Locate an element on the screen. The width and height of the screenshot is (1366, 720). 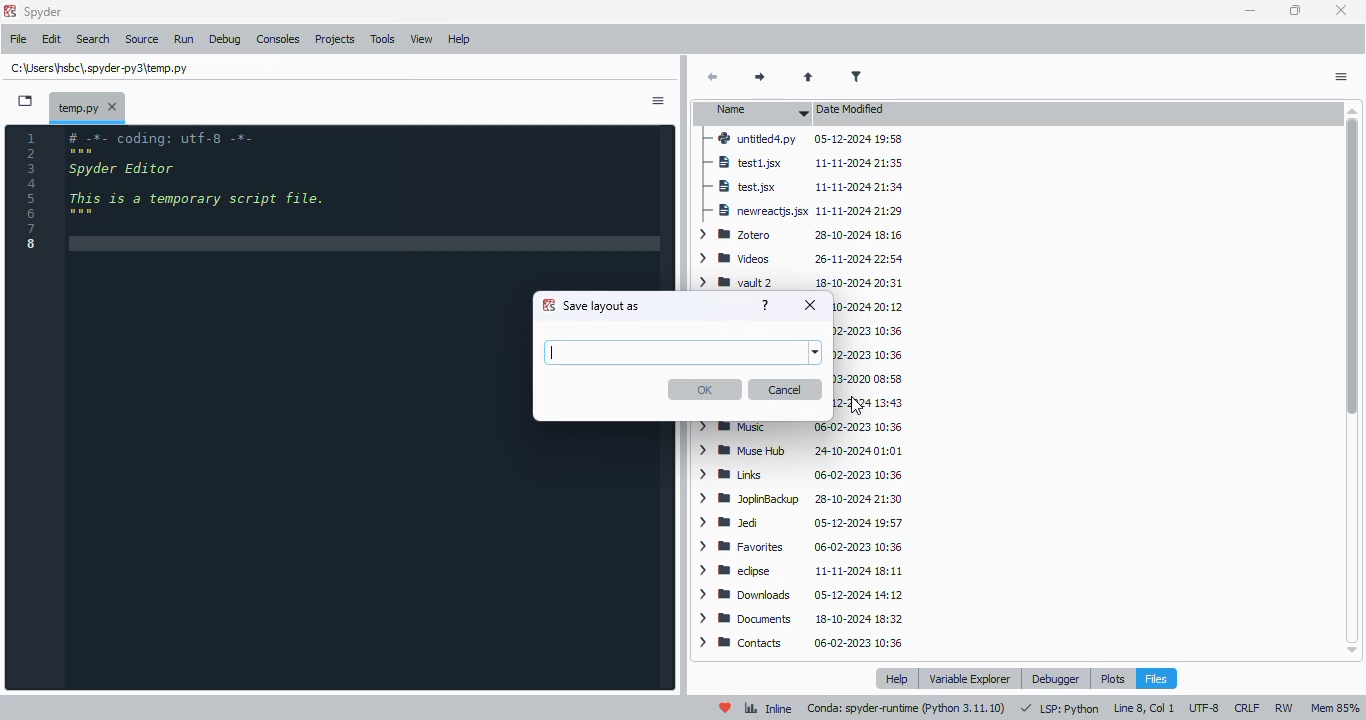
source is located at coordinates (143, 40).